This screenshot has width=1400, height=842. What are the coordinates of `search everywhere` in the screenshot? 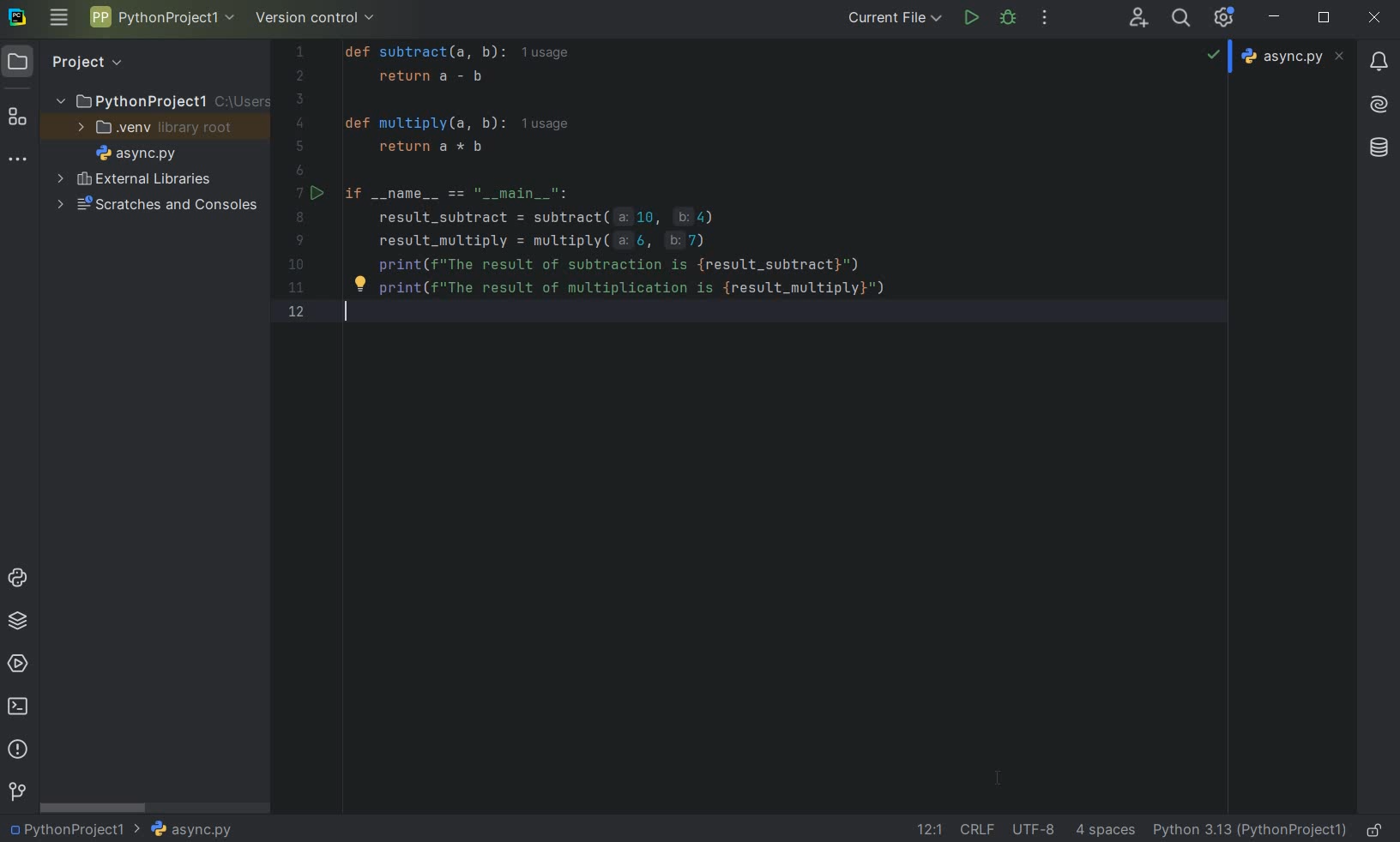 It's located at (1178, 20).